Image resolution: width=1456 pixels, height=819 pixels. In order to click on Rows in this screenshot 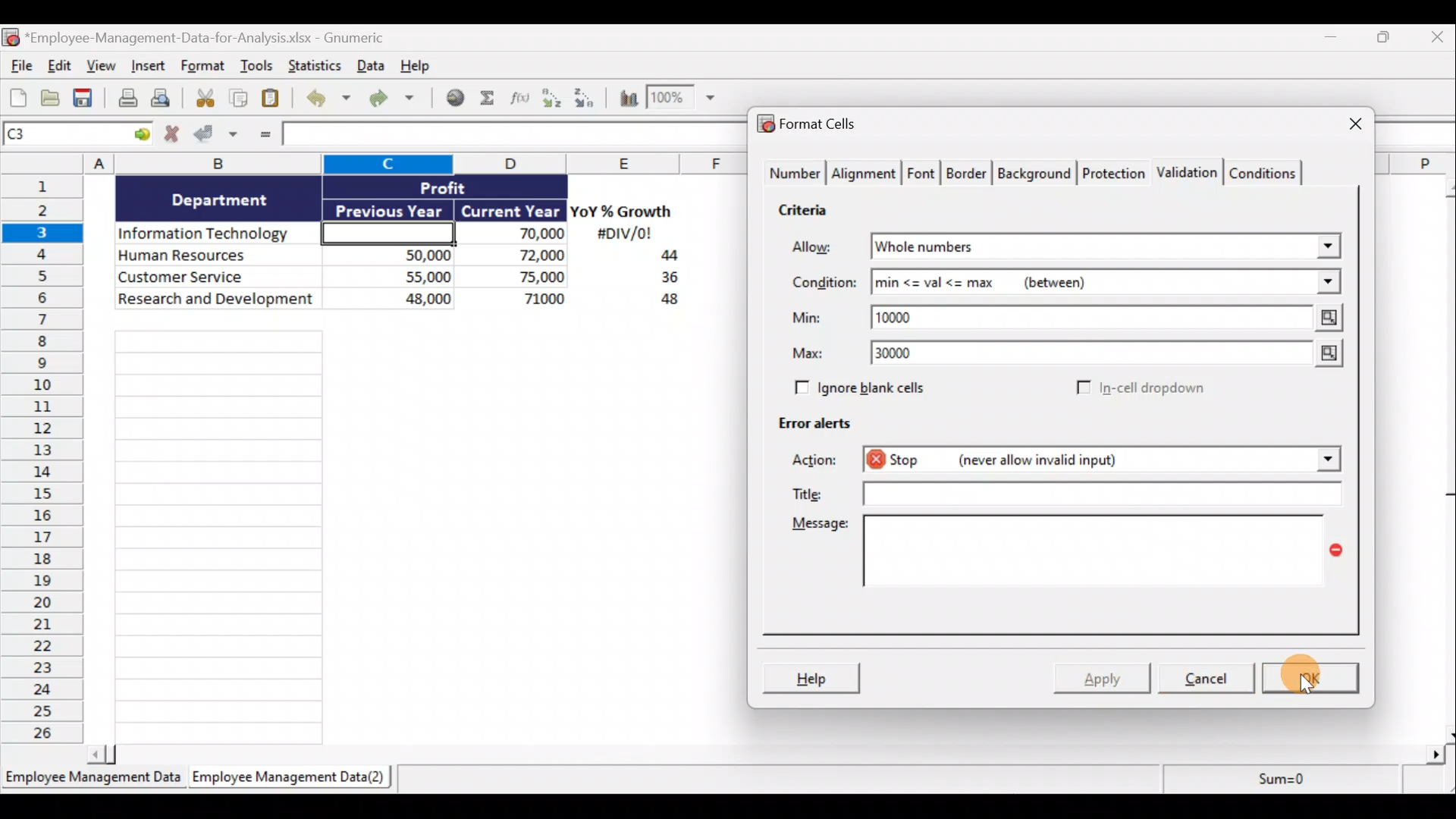, I will do `click(47, 462)`.